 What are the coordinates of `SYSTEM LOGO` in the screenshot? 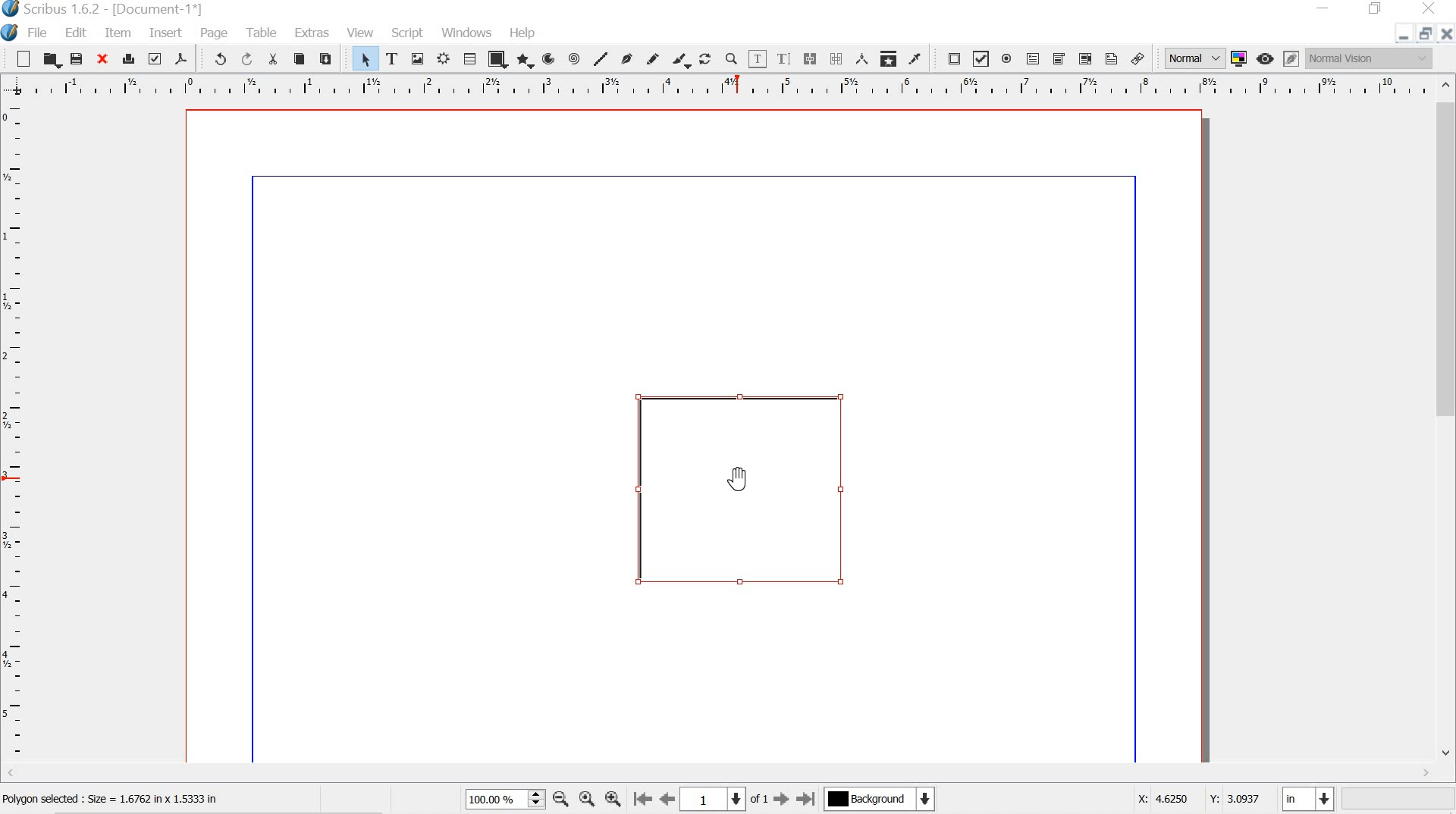 It's located at (12, 31).